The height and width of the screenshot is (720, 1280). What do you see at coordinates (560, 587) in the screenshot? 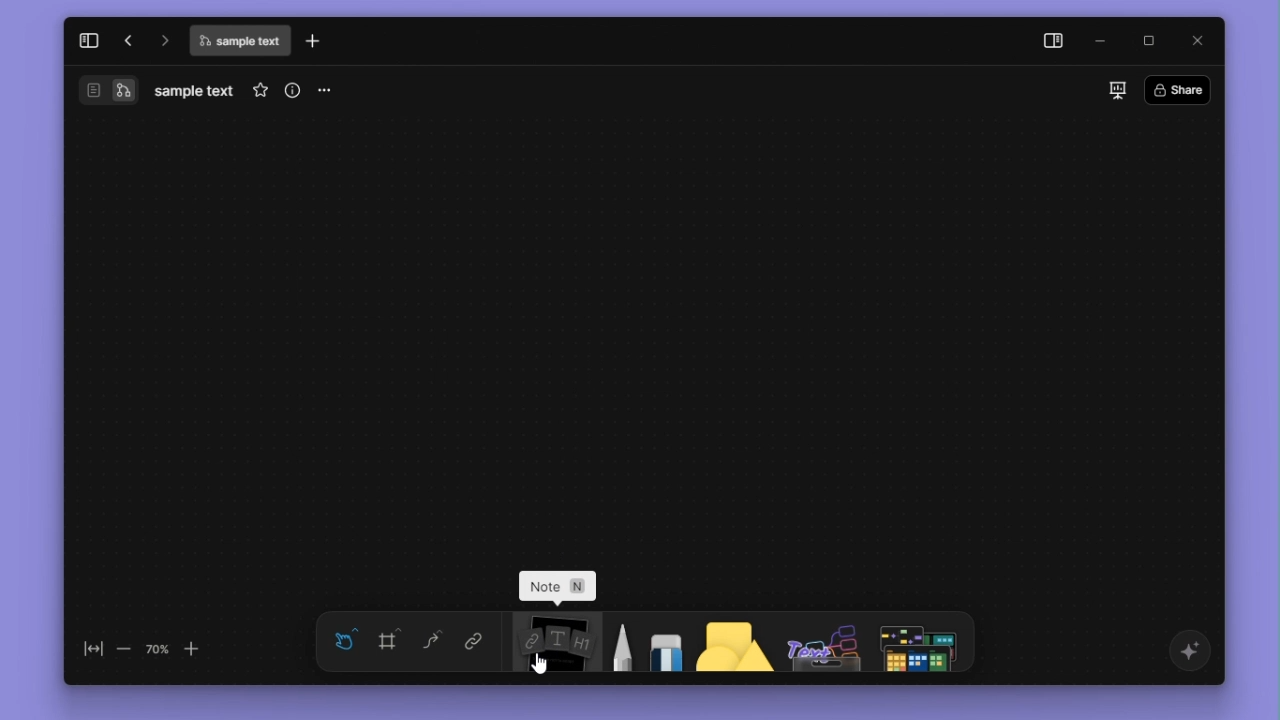
I see `text Note N` at bounding box center [560, 587].